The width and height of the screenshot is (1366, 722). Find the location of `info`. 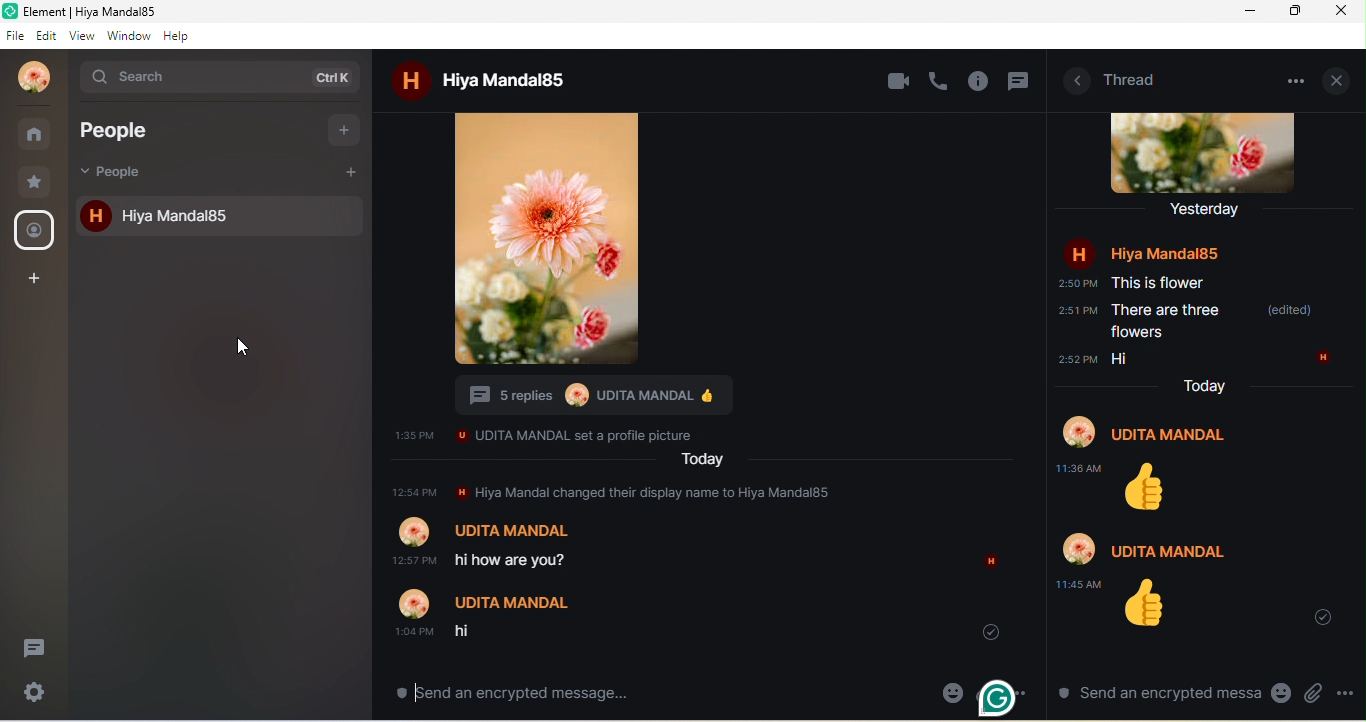

info is located at coordinates (980, 82).